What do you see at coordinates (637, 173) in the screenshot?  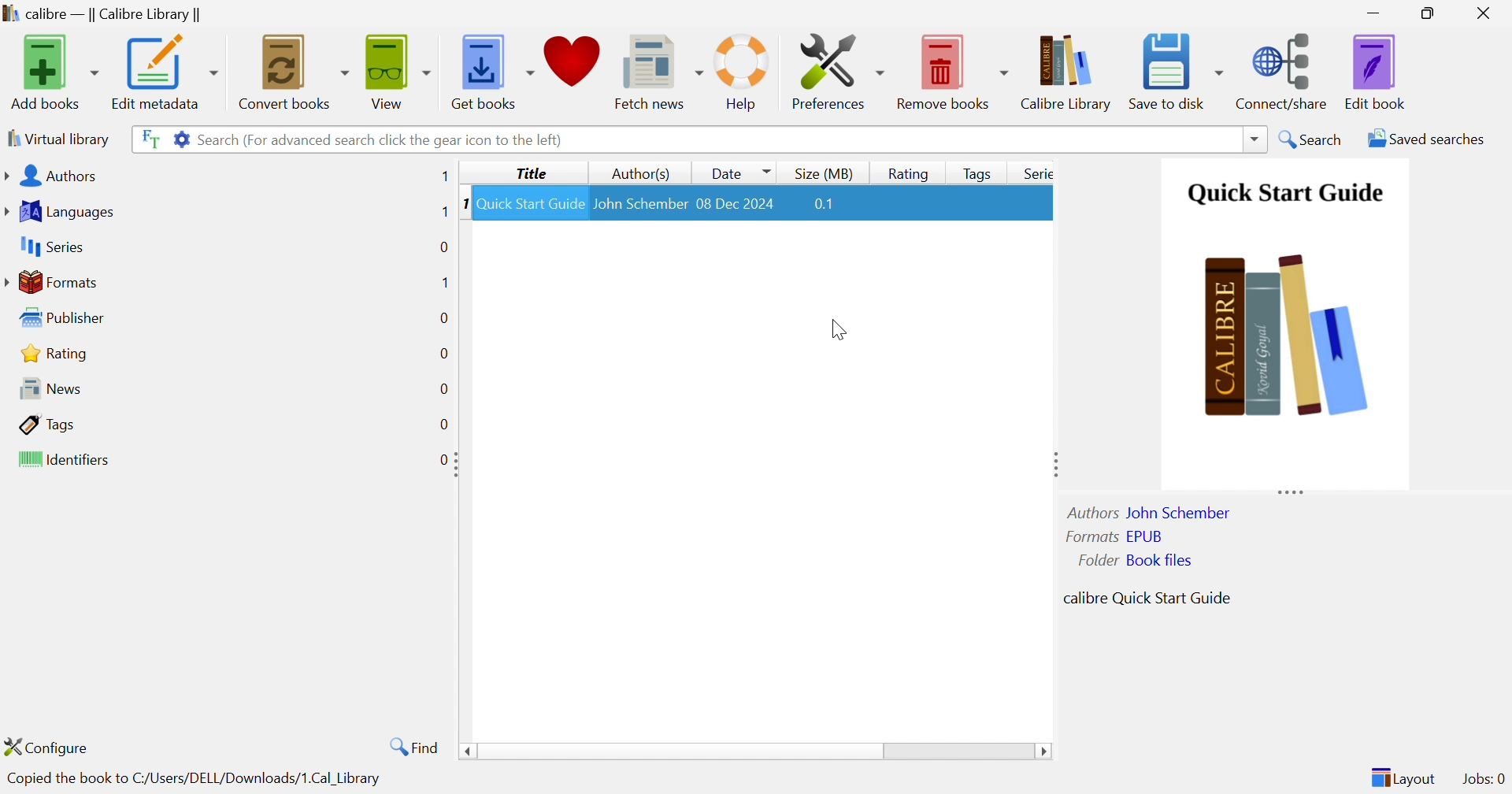 I see `Author(s)` at bounding box center [637, 173].